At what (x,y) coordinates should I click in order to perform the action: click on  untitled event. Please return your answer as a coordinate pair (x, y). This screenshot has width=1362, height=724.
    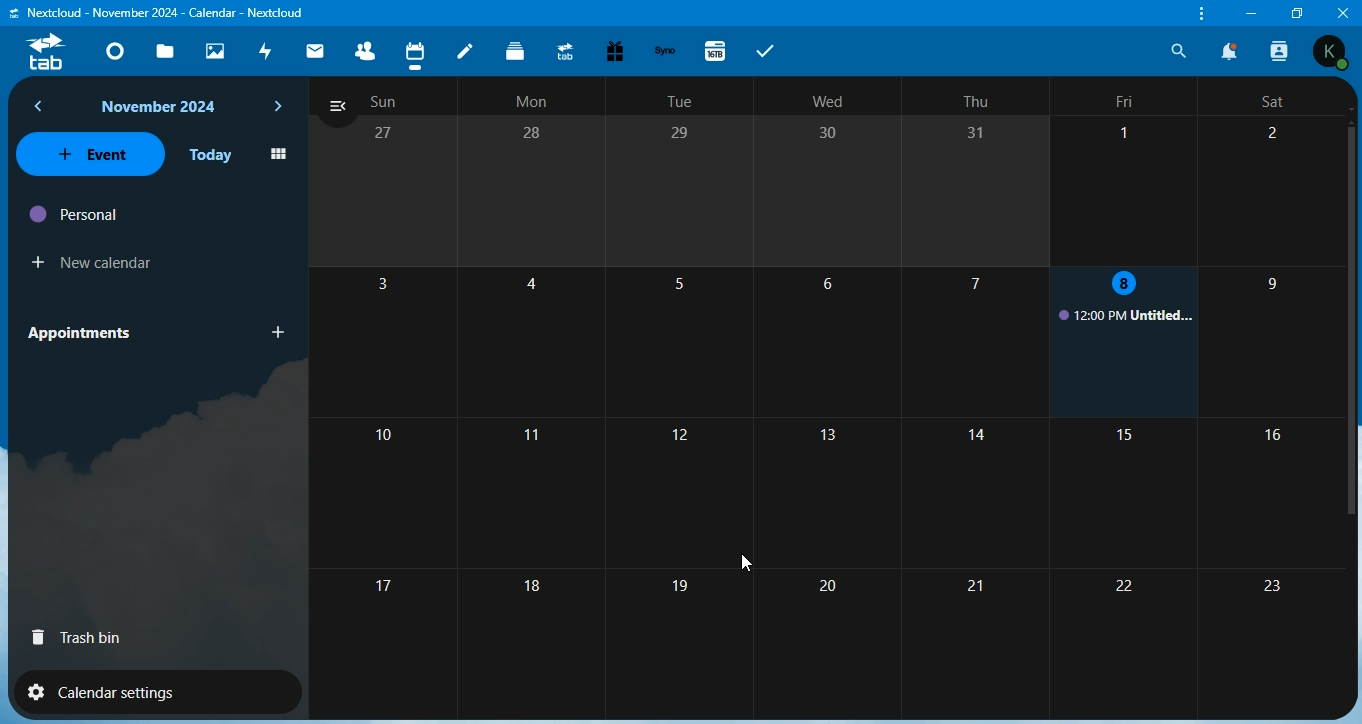
    Looking at the image, I should click on (1126, 337).